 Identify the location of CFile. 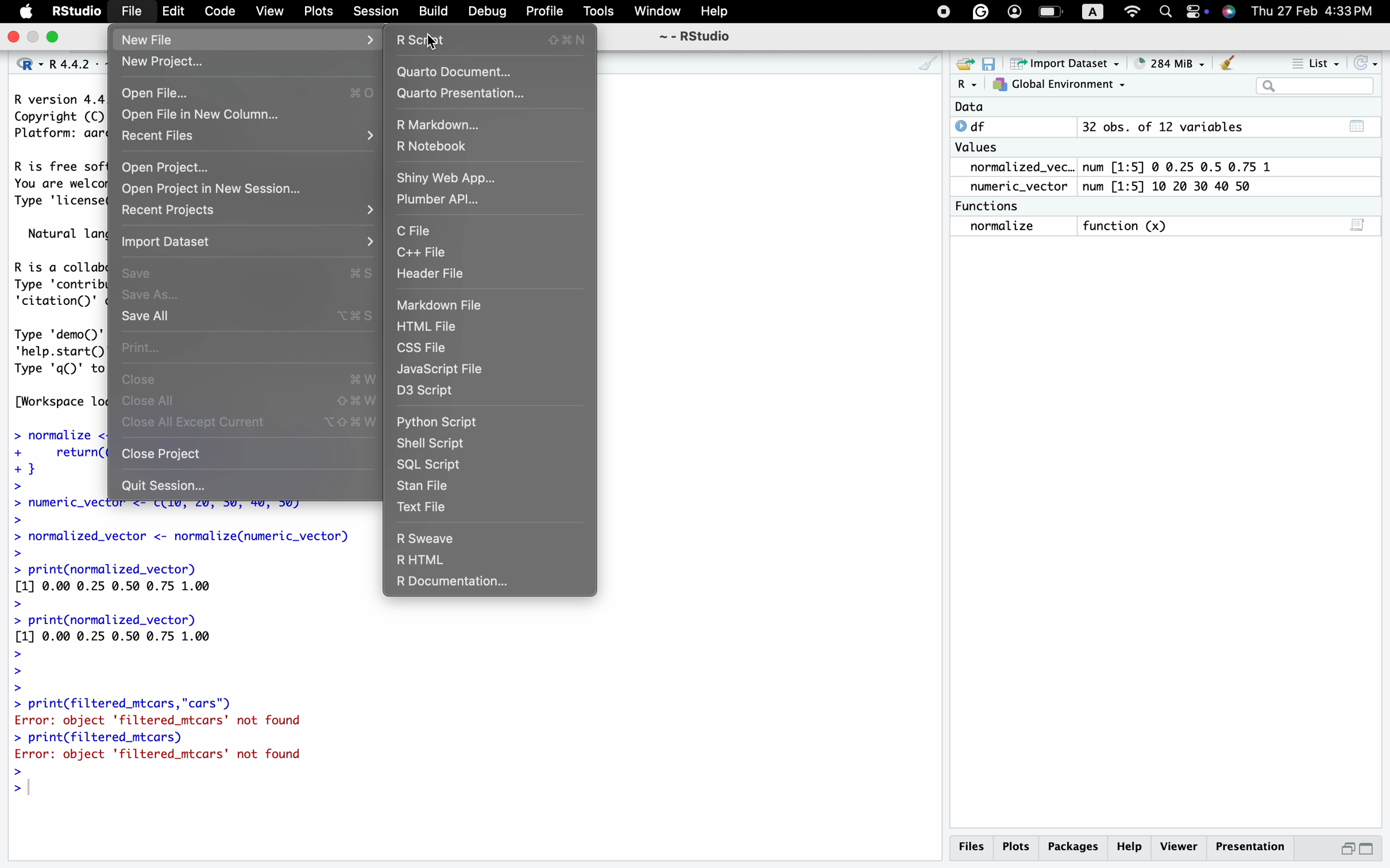
(413, 231).